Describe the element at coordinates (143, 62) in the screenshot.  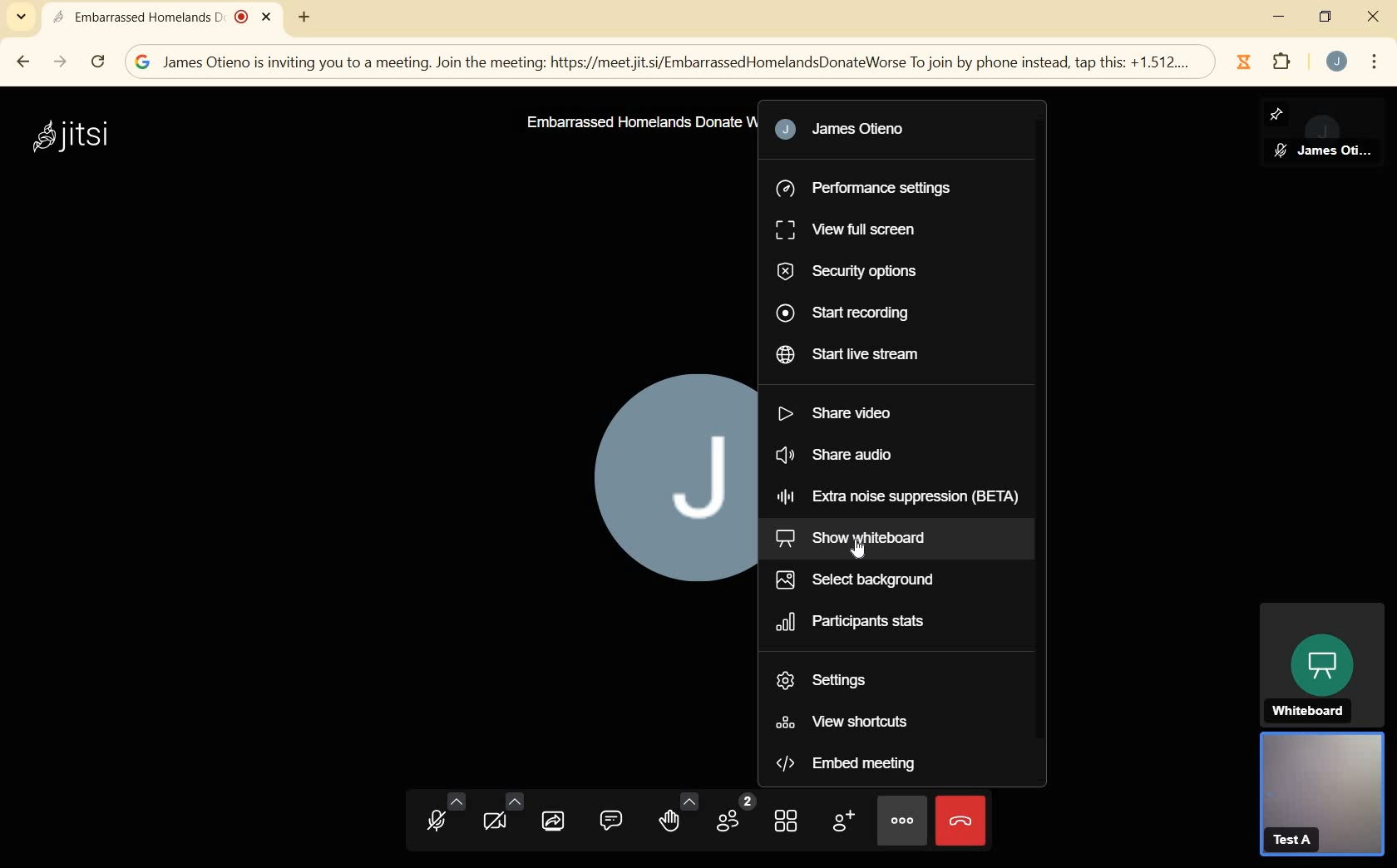
I see `google logo` at that location.